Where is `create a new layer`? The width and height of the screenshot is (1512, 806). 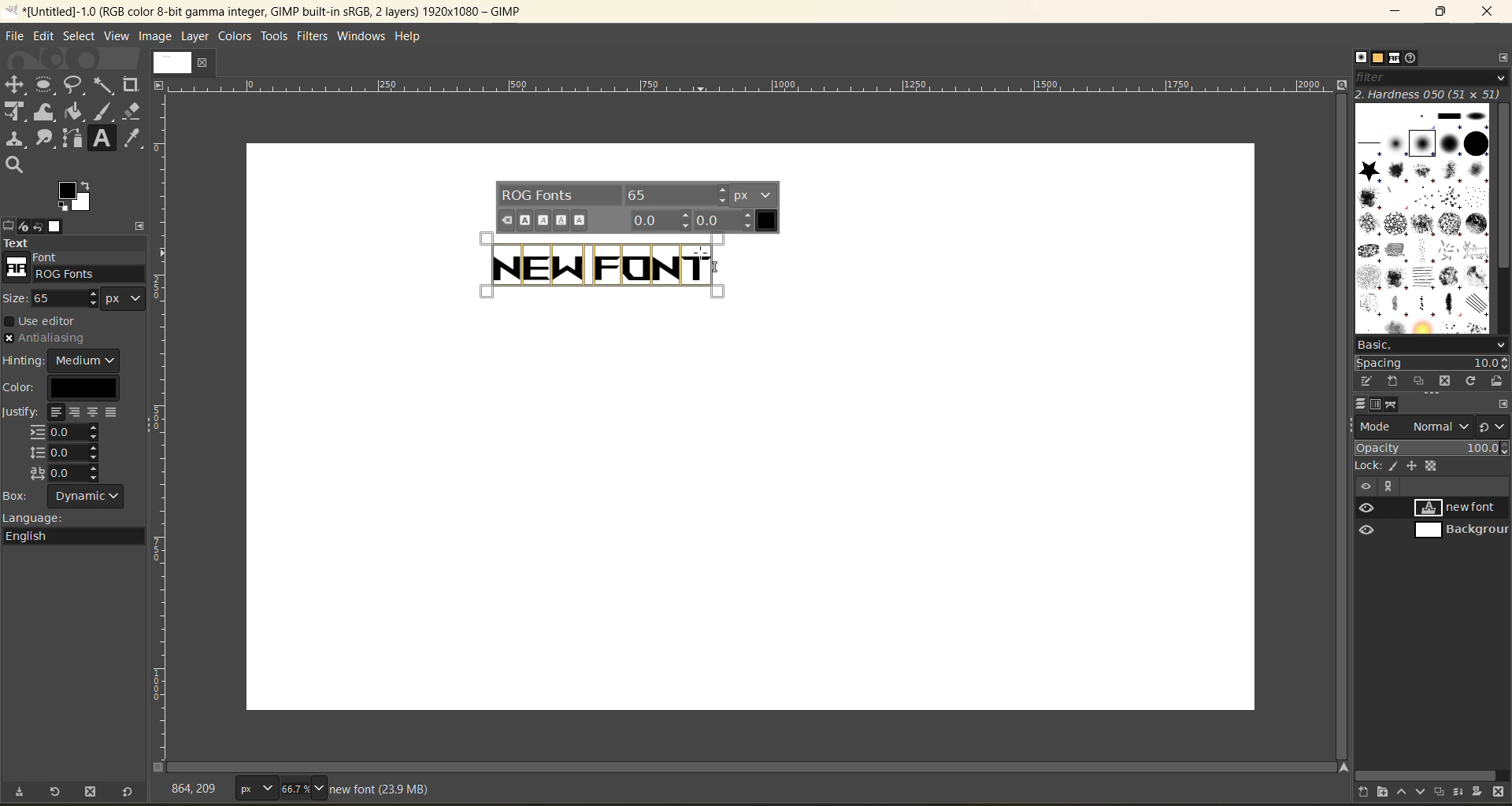 create a new layer is located at coordinates (1366, 791).